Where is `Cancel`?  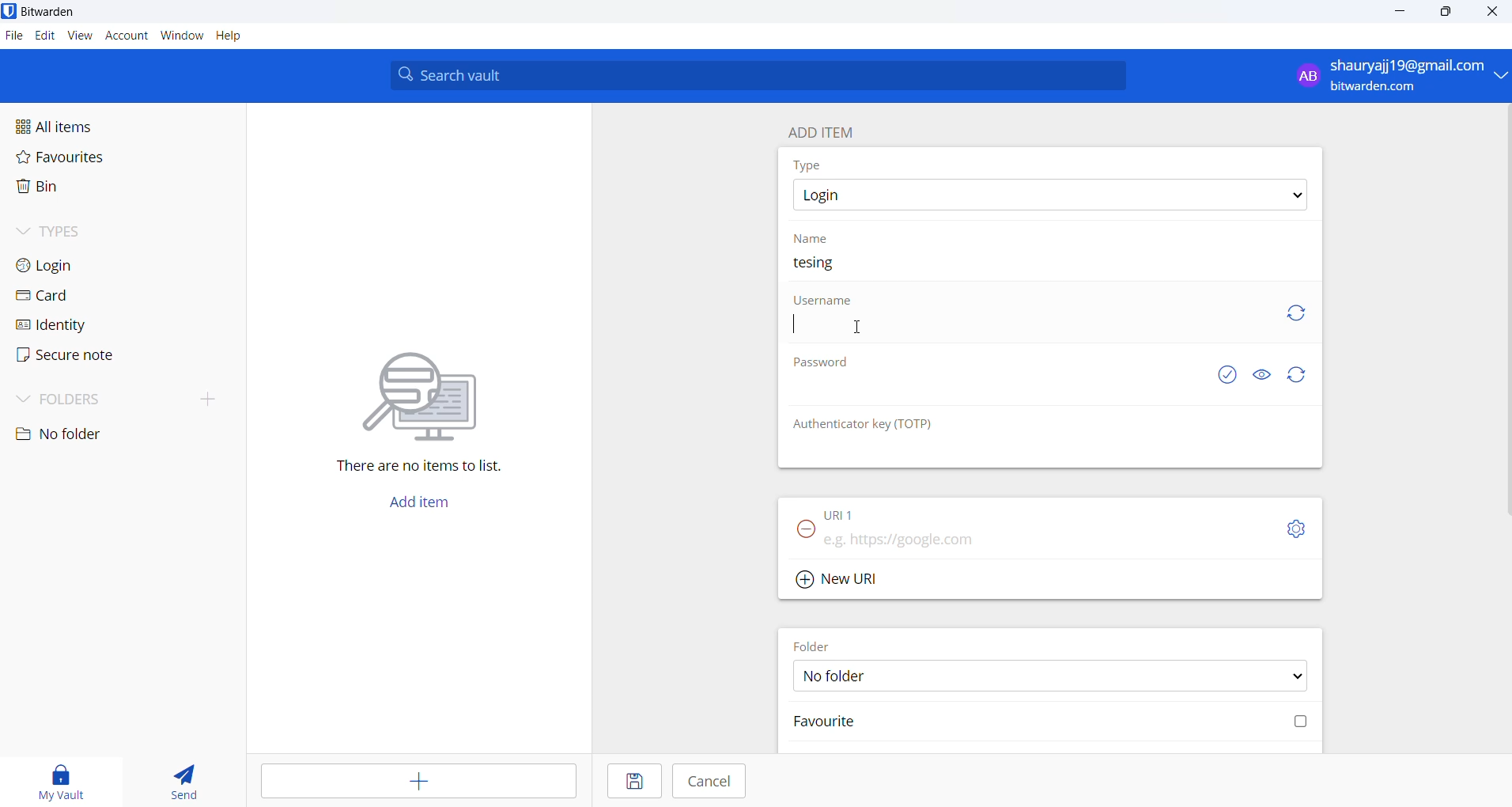
Cancel is located at coordinates (710, 781).